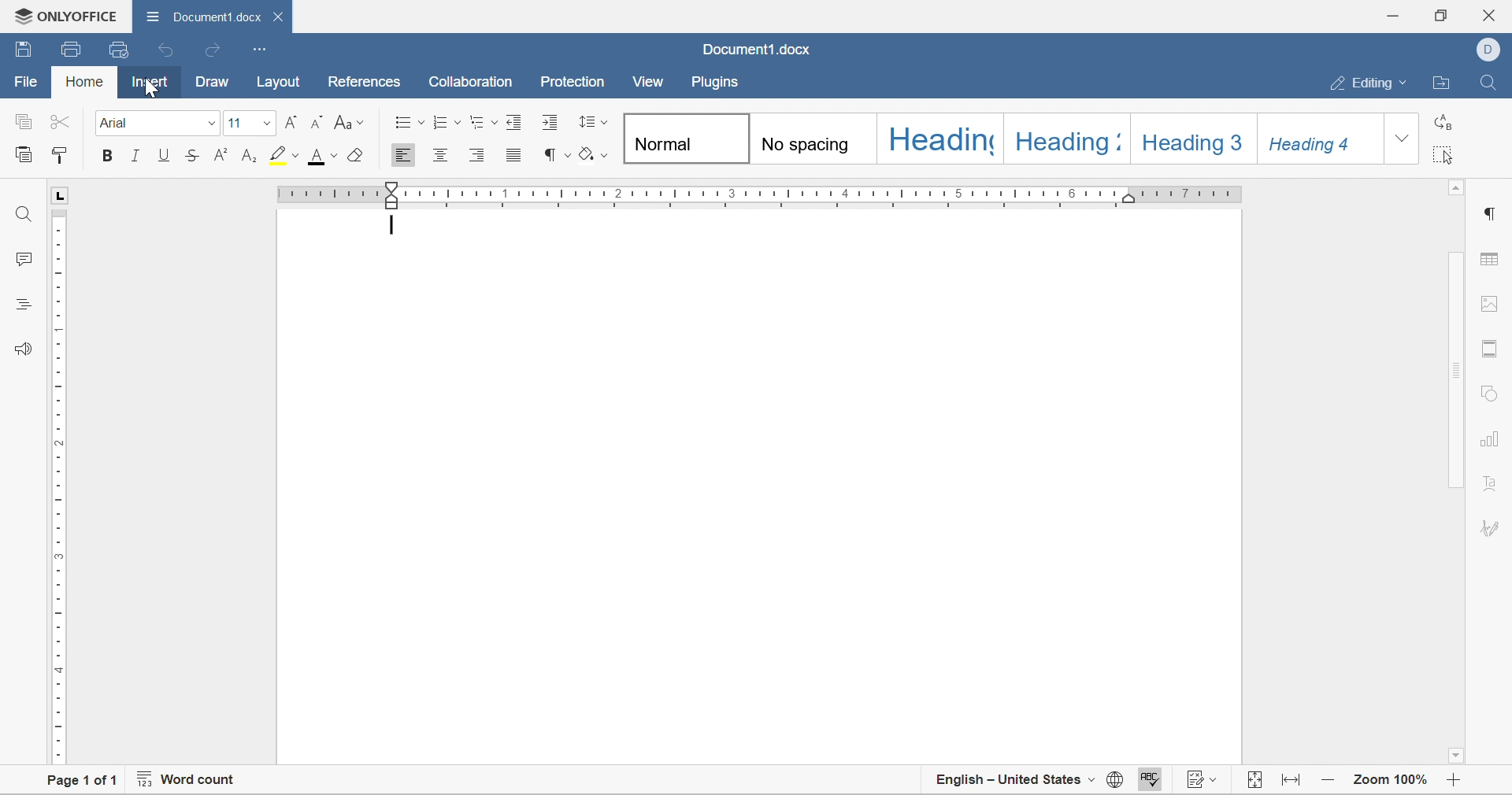 The width and height of the screenshot is (1512, 795). Describe the element at coordinates (516, 121) in the screenshot. I see `Decrease indent` at that location.